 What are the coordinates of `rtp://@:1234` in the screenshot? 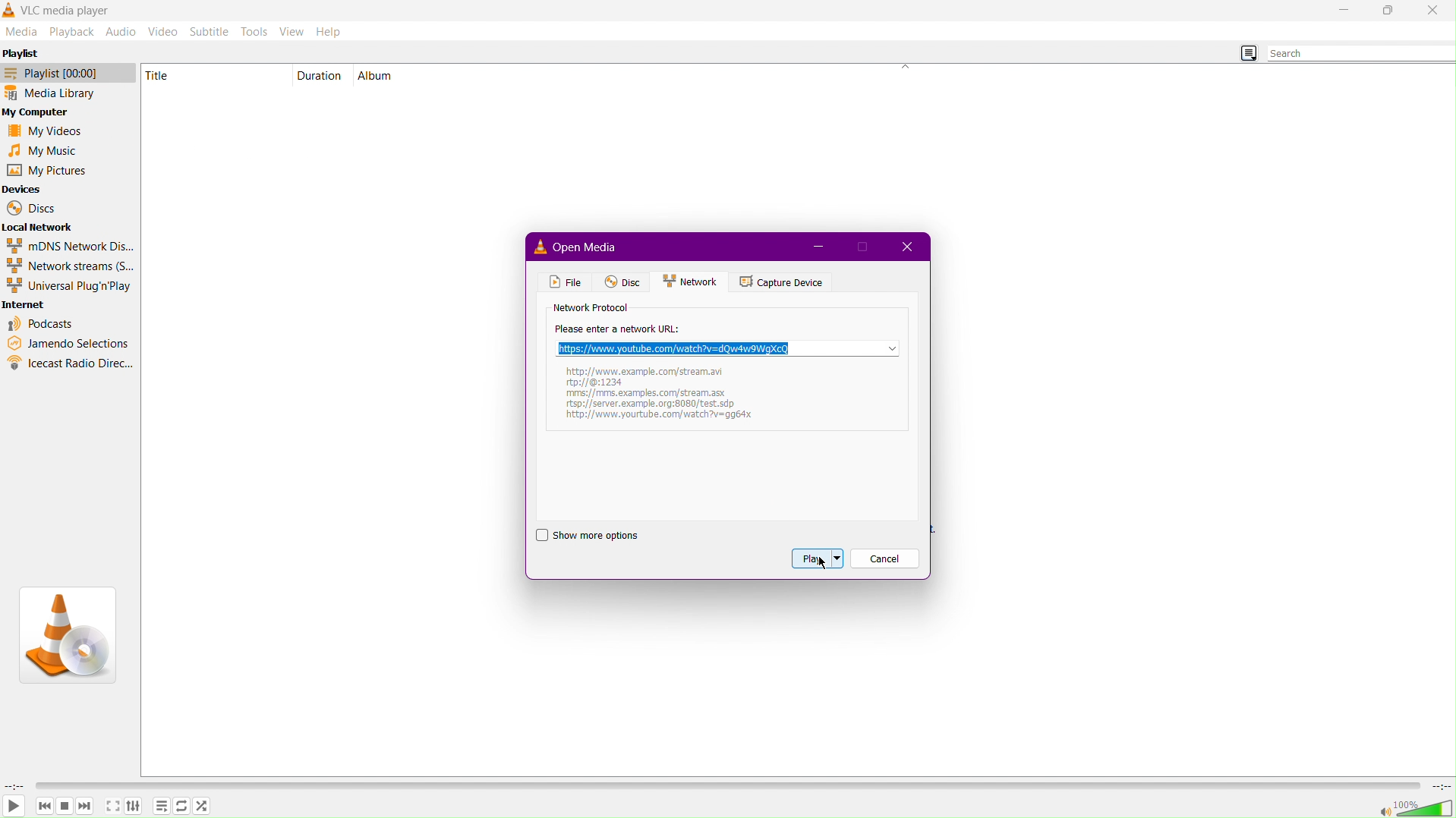 It's located at (604, 381).